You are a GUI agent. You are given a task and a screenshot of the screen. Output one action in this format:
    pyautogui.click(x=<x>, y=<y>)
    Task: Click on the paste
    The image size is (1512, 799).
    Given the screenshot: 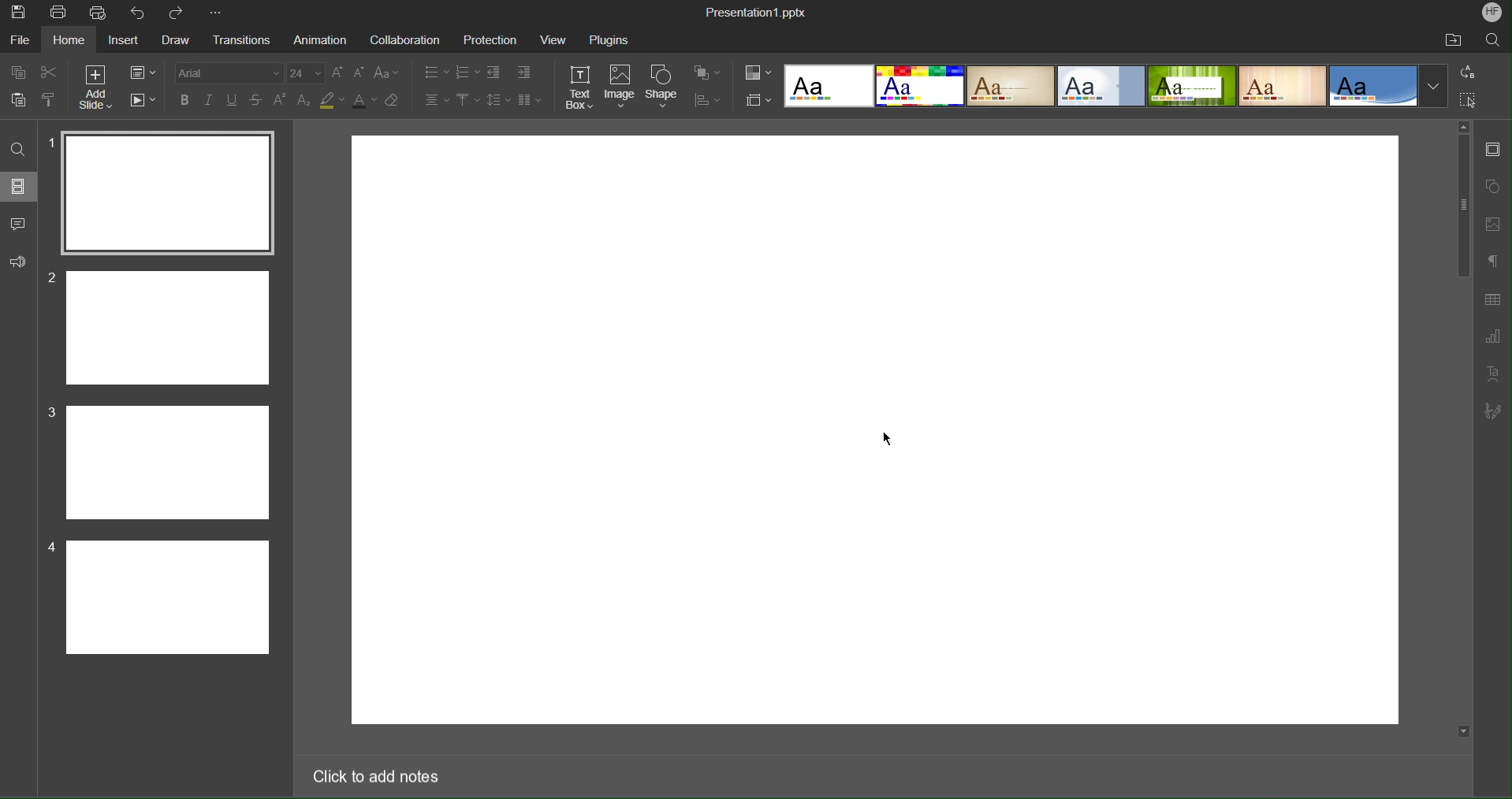 What is the action you would take?
    pyautogui.click(x=22, y=101)
    